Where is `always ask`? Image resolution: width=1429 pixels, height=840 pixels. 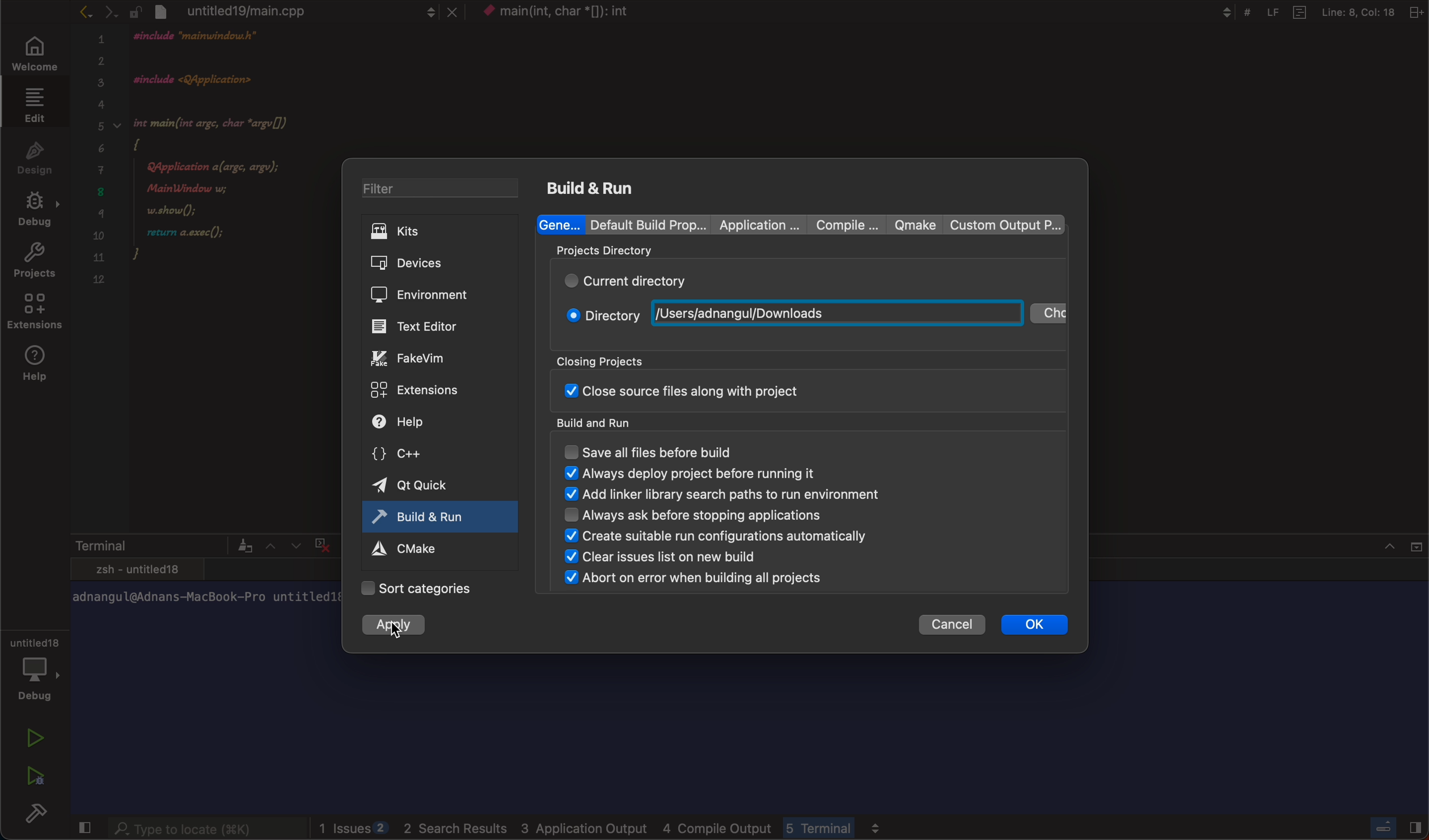 always ask is located at coordinates (703, 517).